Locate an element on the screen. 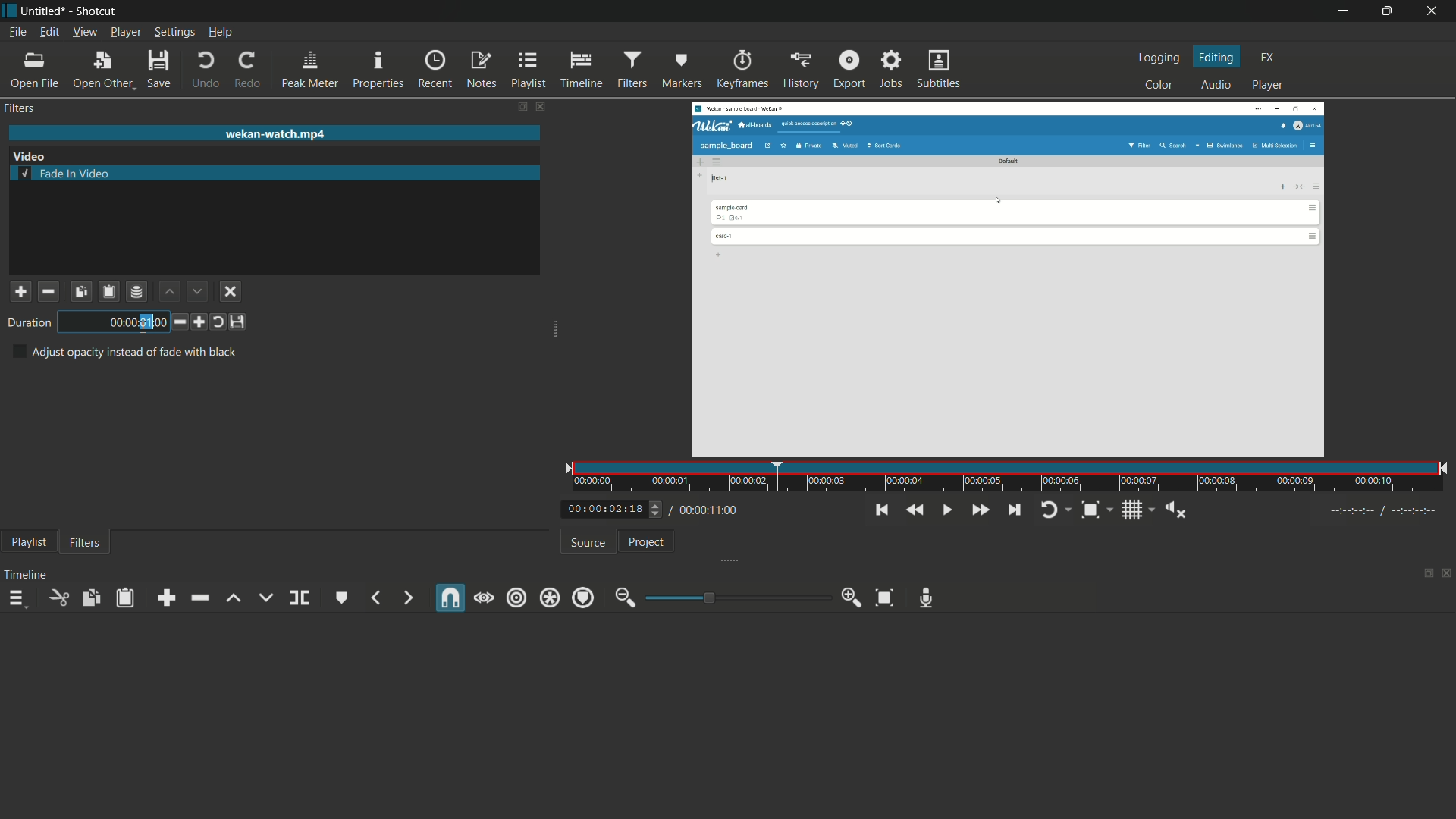  record audio is located at coordinates (925, 598).